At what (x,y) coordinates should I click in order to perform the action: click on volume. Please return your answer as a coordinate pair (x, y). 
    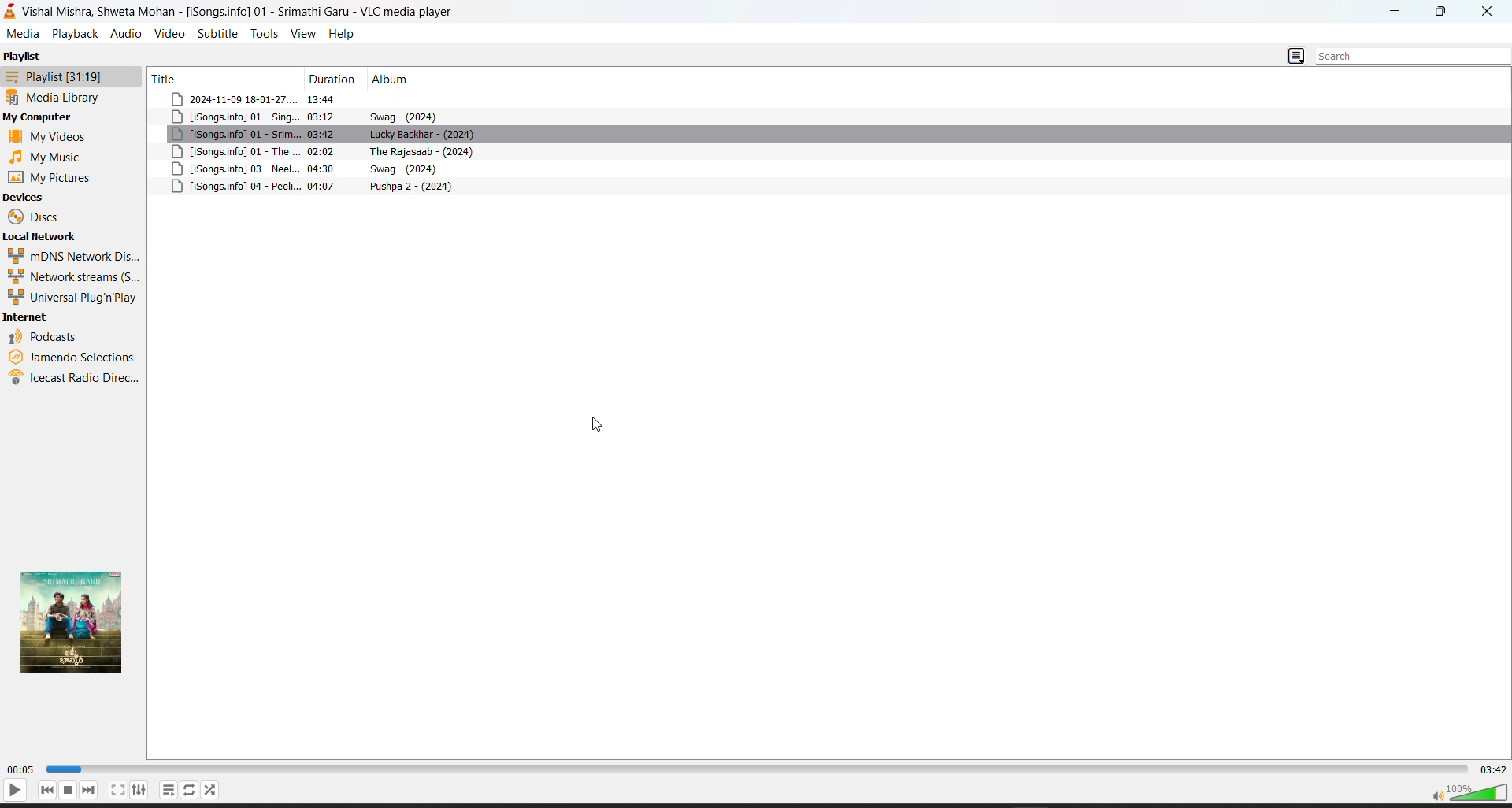
    Looking at the image, I should click on (1468, 791).